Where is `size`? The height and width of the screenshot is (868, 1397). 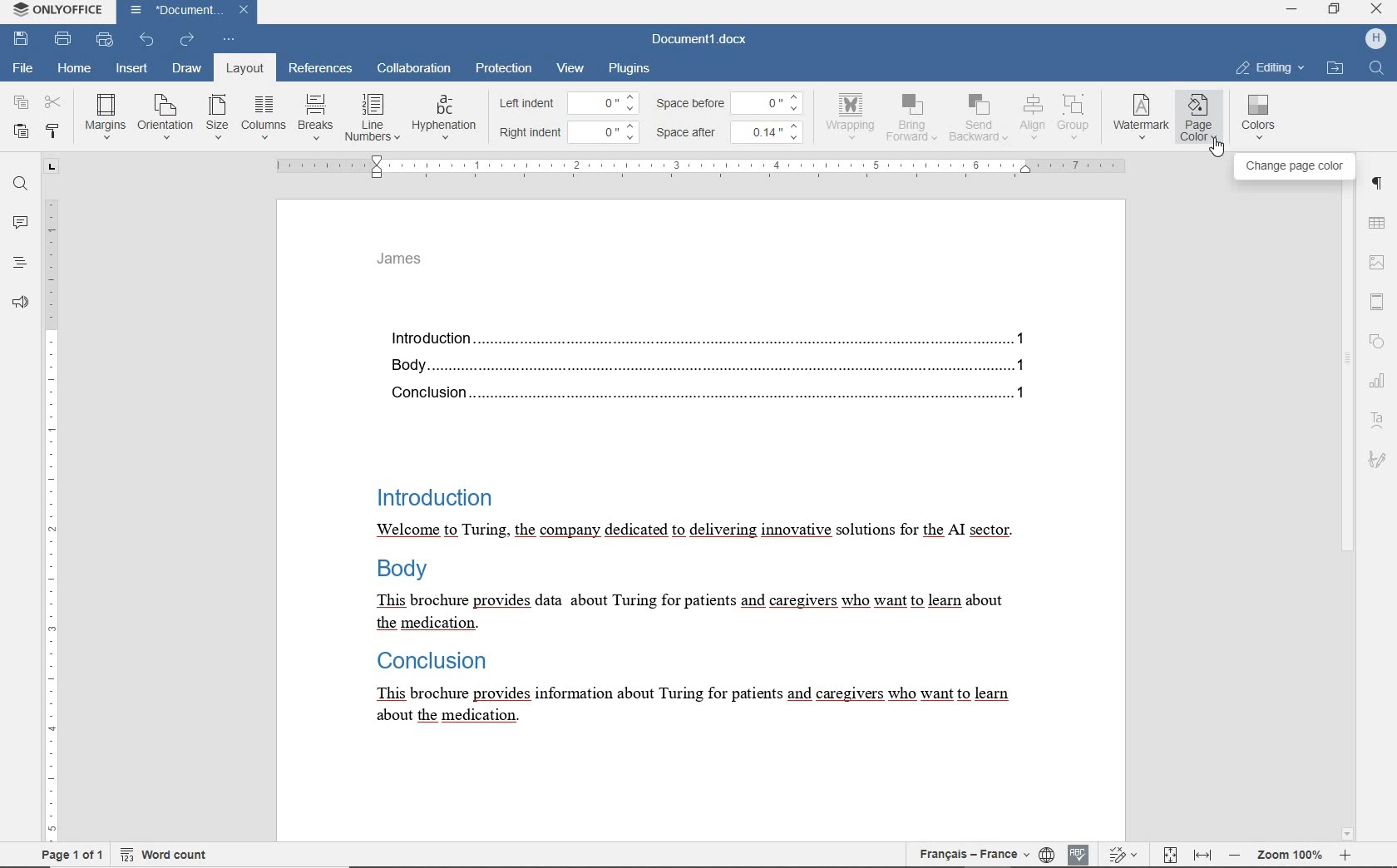 size is located at coordinates (217, 117).